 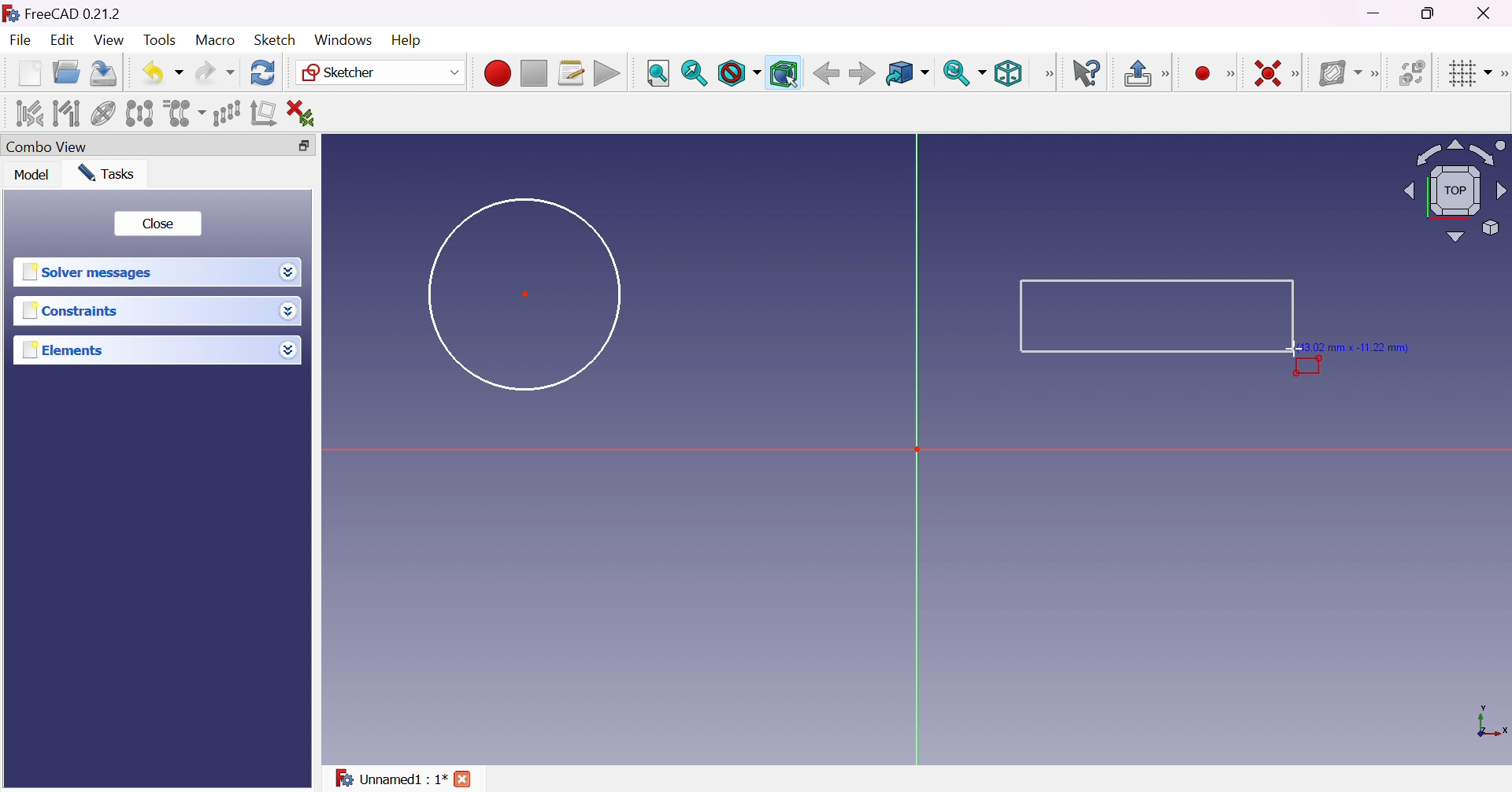 I want to click on Stop macro recording, so click(x=532, y=74).